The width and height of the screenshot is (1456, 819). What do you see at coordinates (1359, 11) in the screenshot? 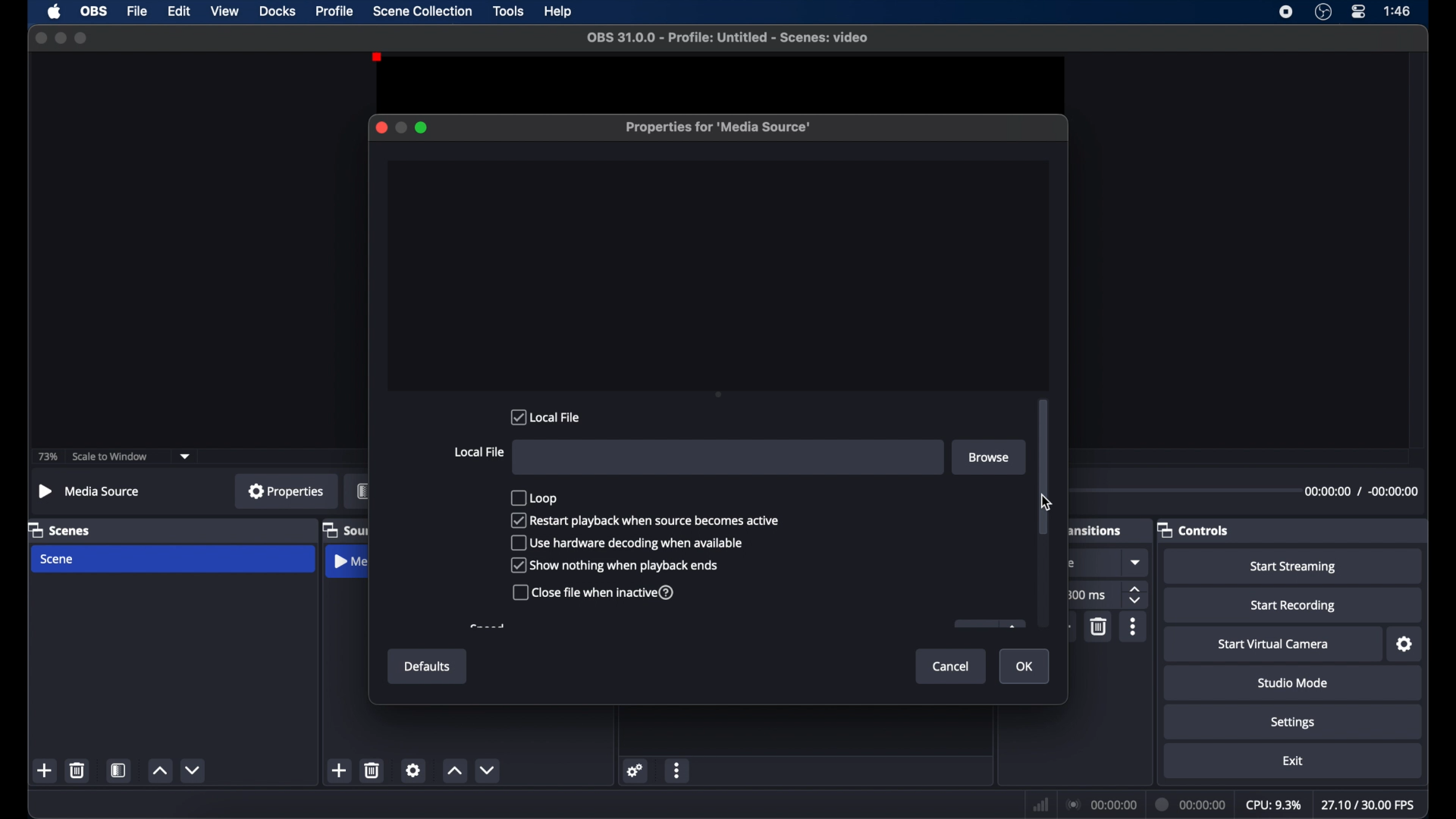
I see `control center` at bounding box center [1359, 11].